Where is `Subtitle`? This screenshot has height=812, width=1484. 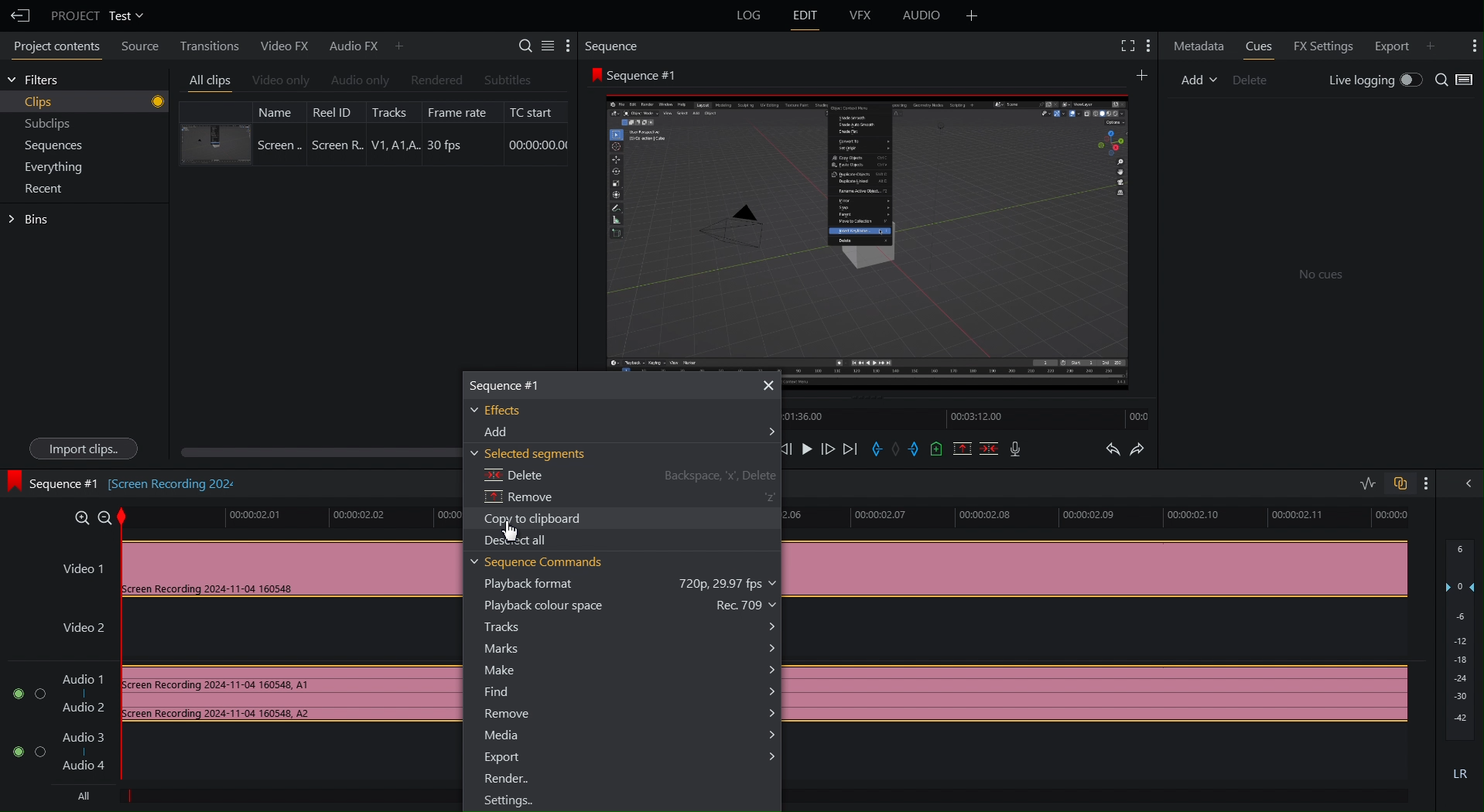
Subtitle is located at coordinates (508, 78).